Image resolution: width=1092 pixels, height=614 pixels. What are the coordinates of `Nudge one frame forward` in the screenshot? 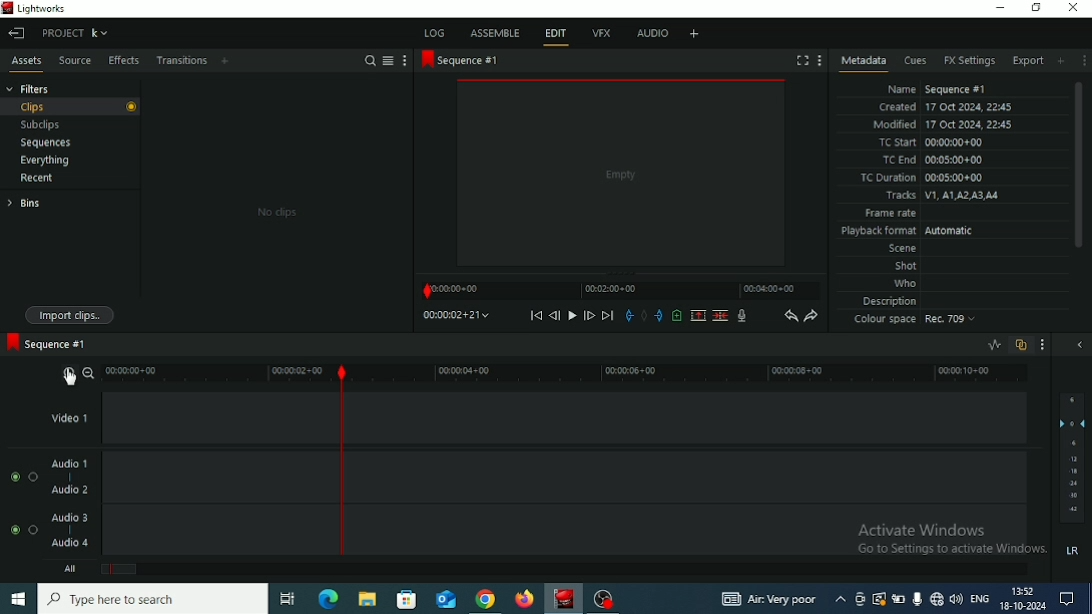 It's located at (589, 317).